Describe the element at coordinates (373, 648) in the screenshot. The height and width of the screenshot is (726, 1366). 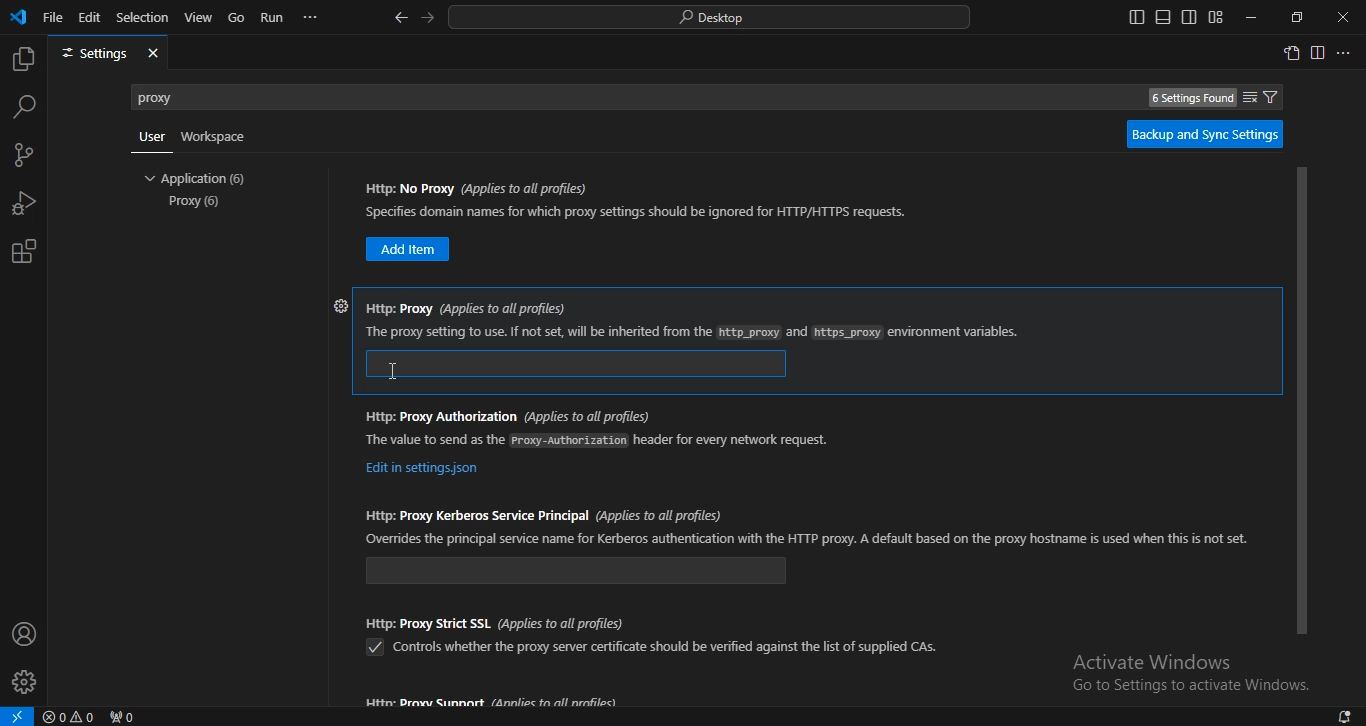
I see `Checkbox ` at that location.